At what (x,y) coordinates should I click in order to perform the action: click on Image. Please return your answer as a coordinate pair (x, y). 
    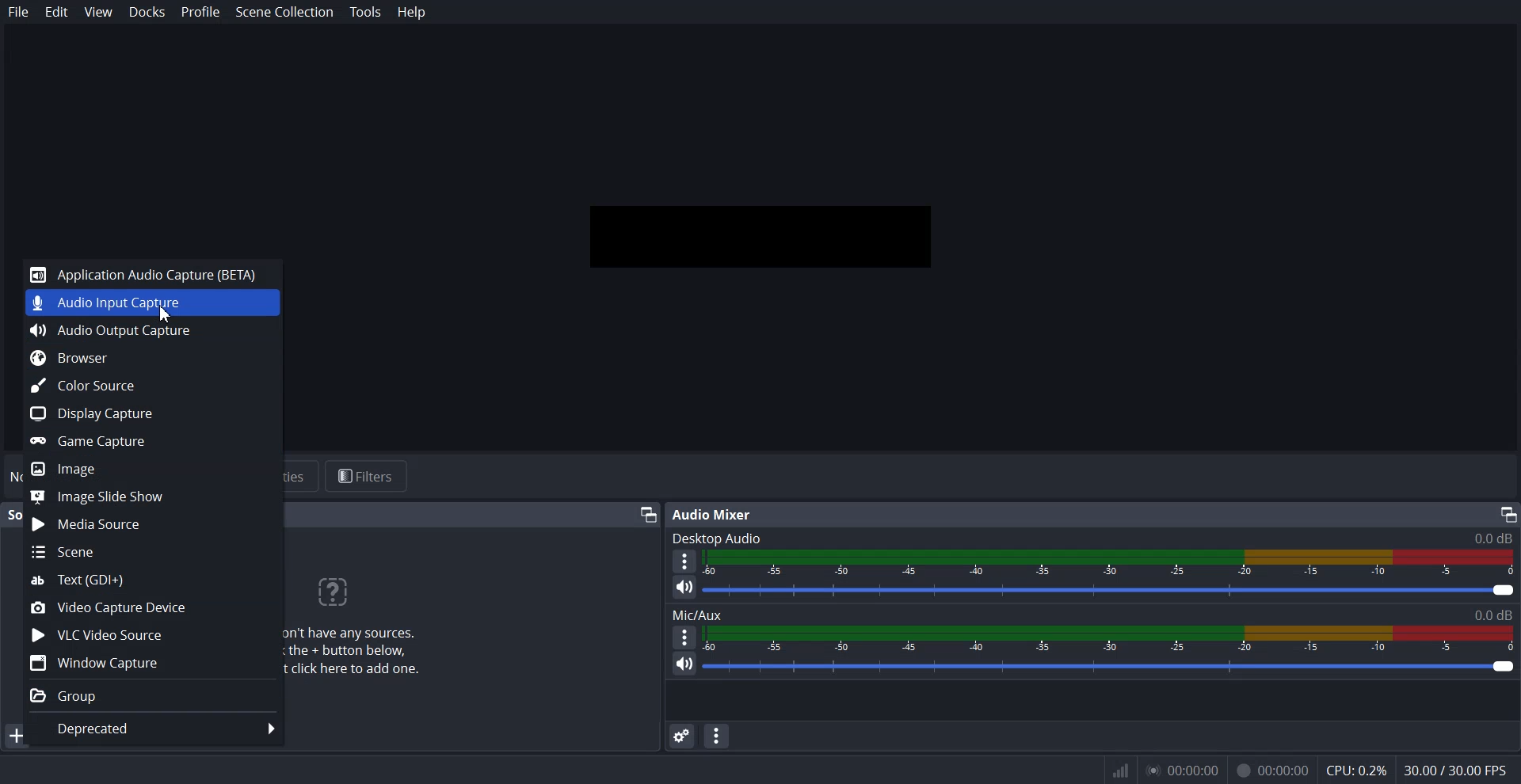
    Looking at the image, I should click on (167, 471).